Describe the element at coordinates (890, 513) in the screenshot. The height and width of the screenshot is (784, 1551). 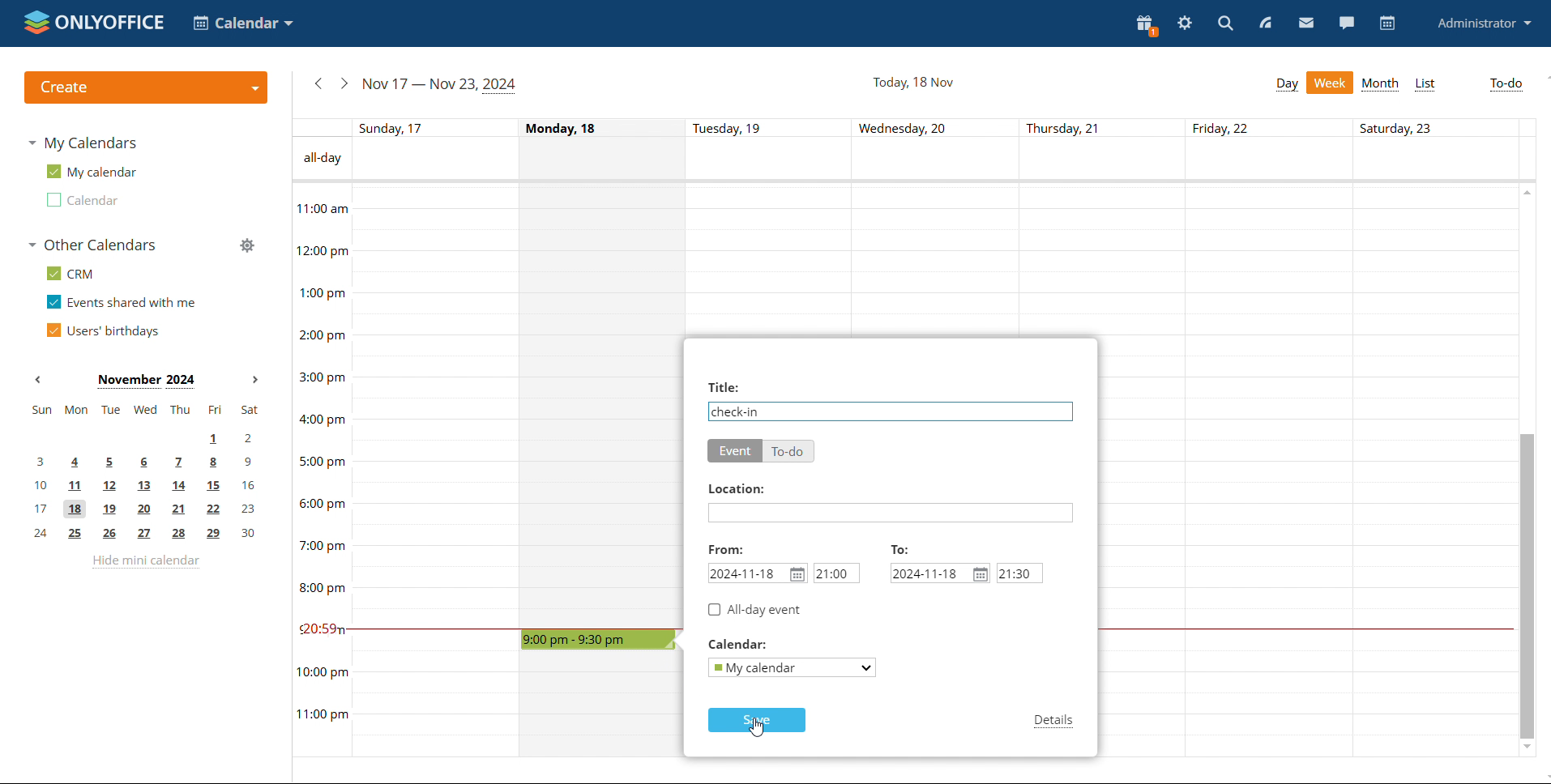
I see `add location` at that location.